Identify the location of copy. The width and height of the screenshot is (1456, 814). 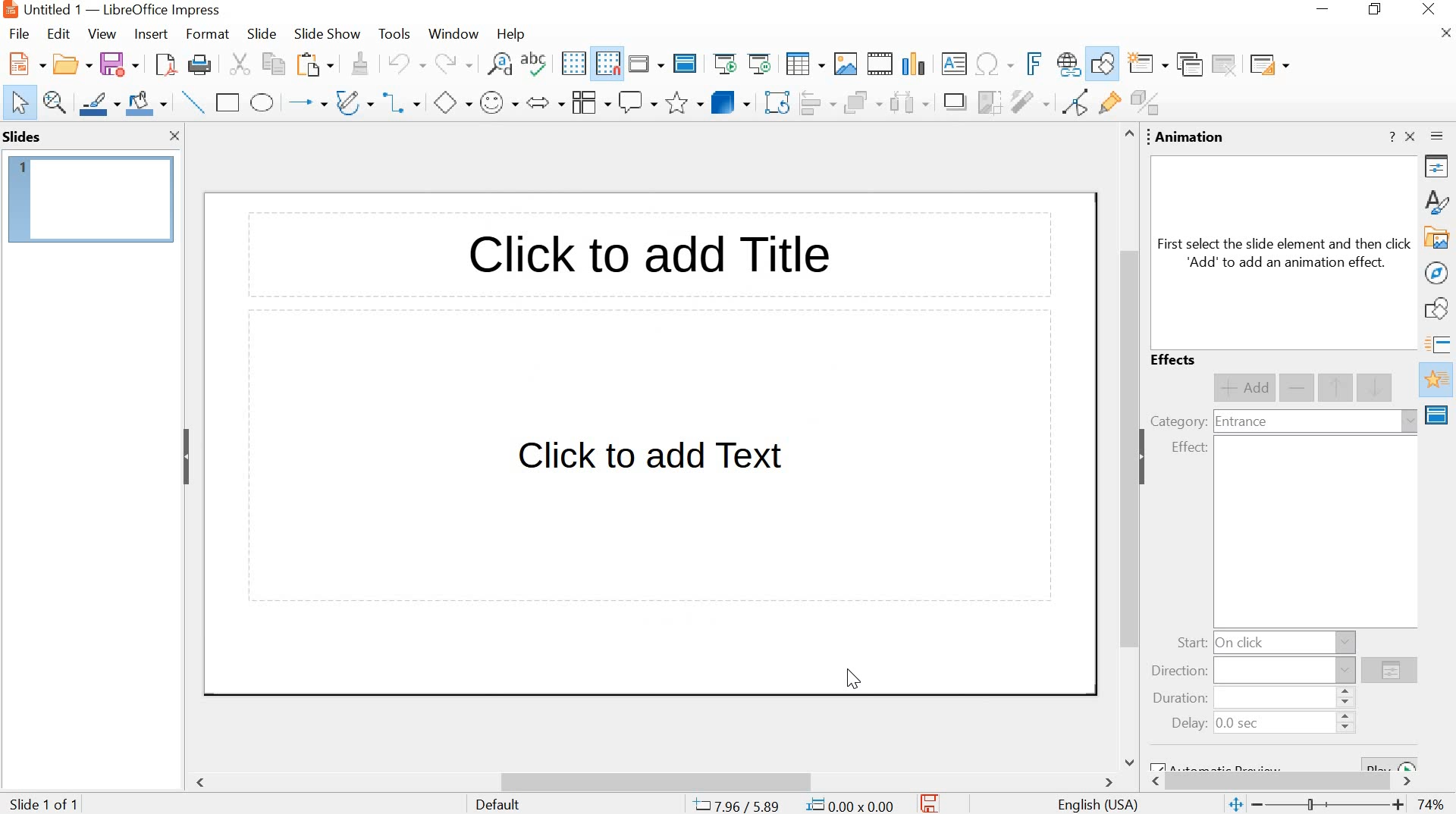
(270, 64).